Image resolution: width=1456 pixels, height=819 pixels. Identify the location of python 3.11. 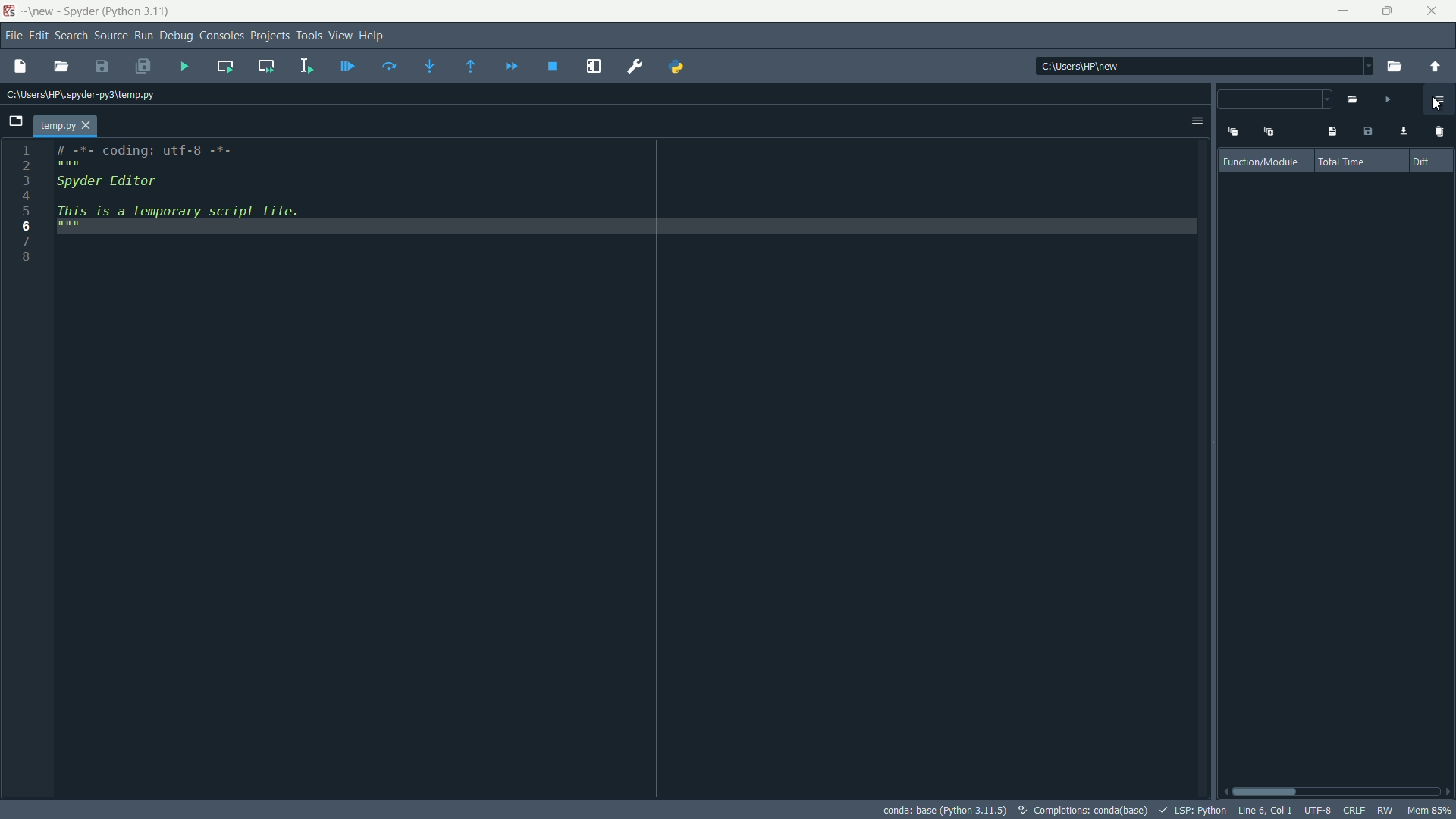
(139, 12).